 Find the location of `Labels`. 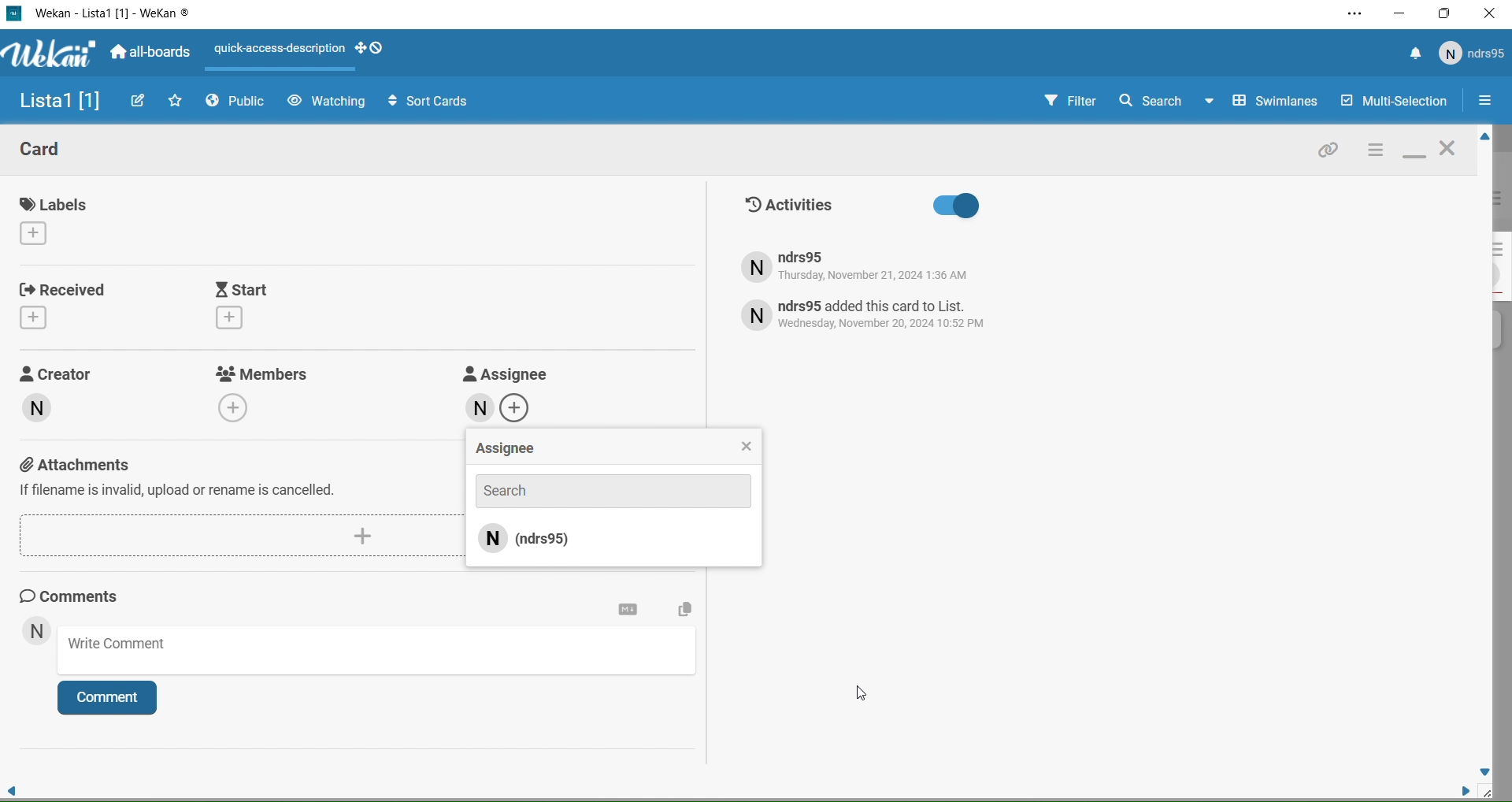

Labels is located at coordinates (60, 219).